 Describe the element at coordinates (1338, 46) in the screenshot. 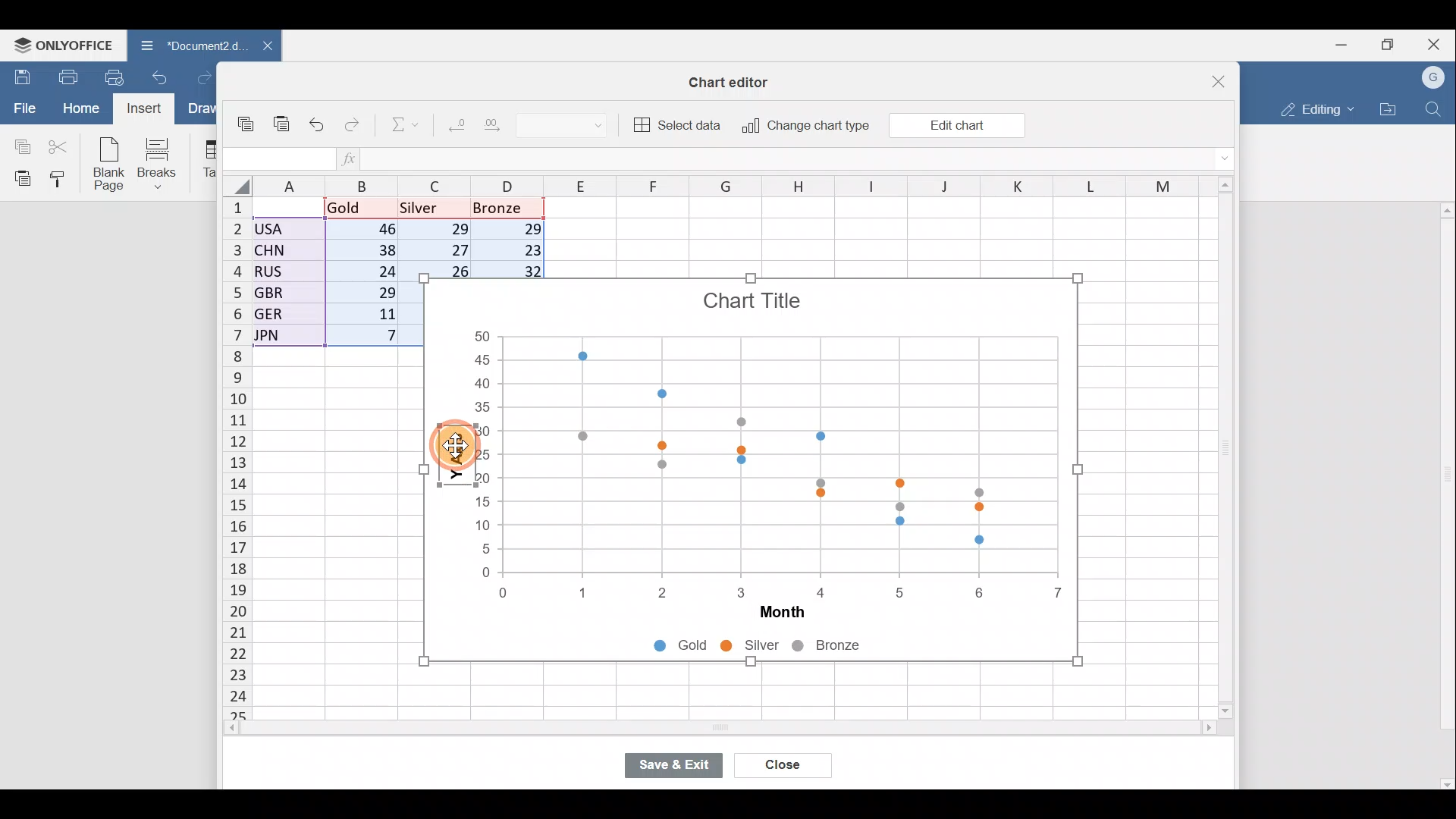

I see `Minimize` at that location.